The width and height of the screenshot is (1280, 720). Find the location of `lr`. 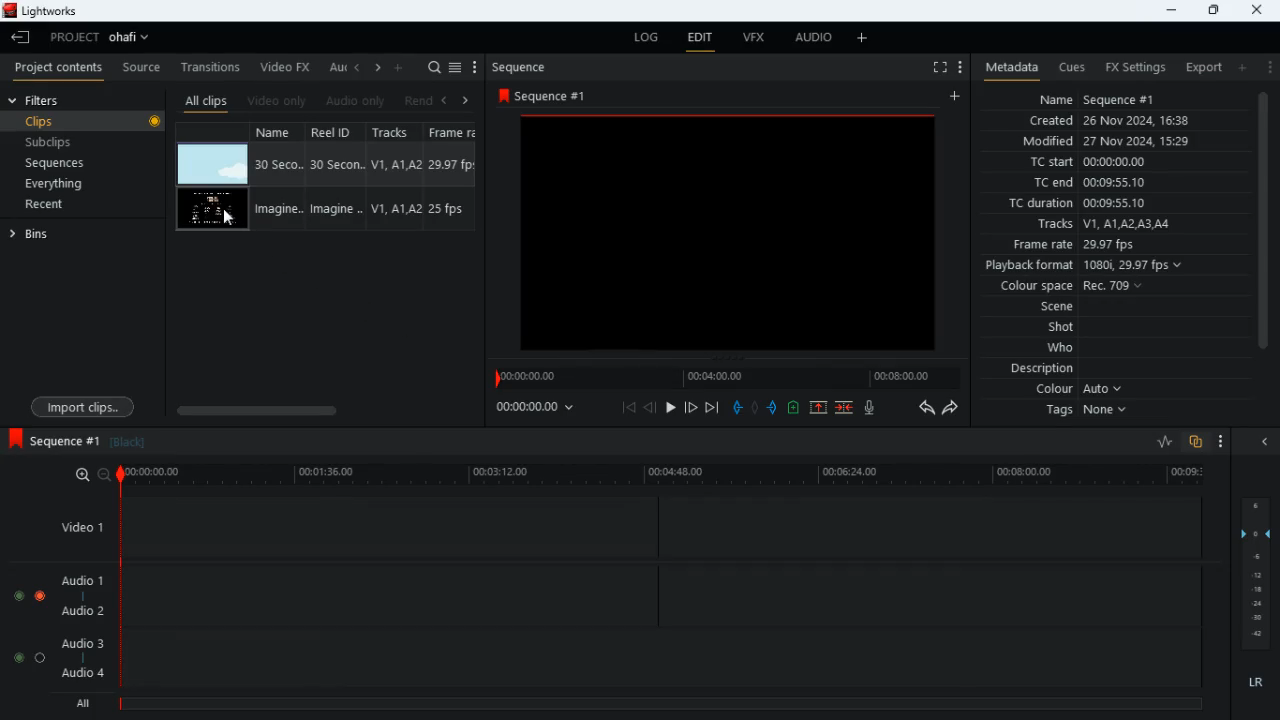

lr is located at coordinates (1258, 685).